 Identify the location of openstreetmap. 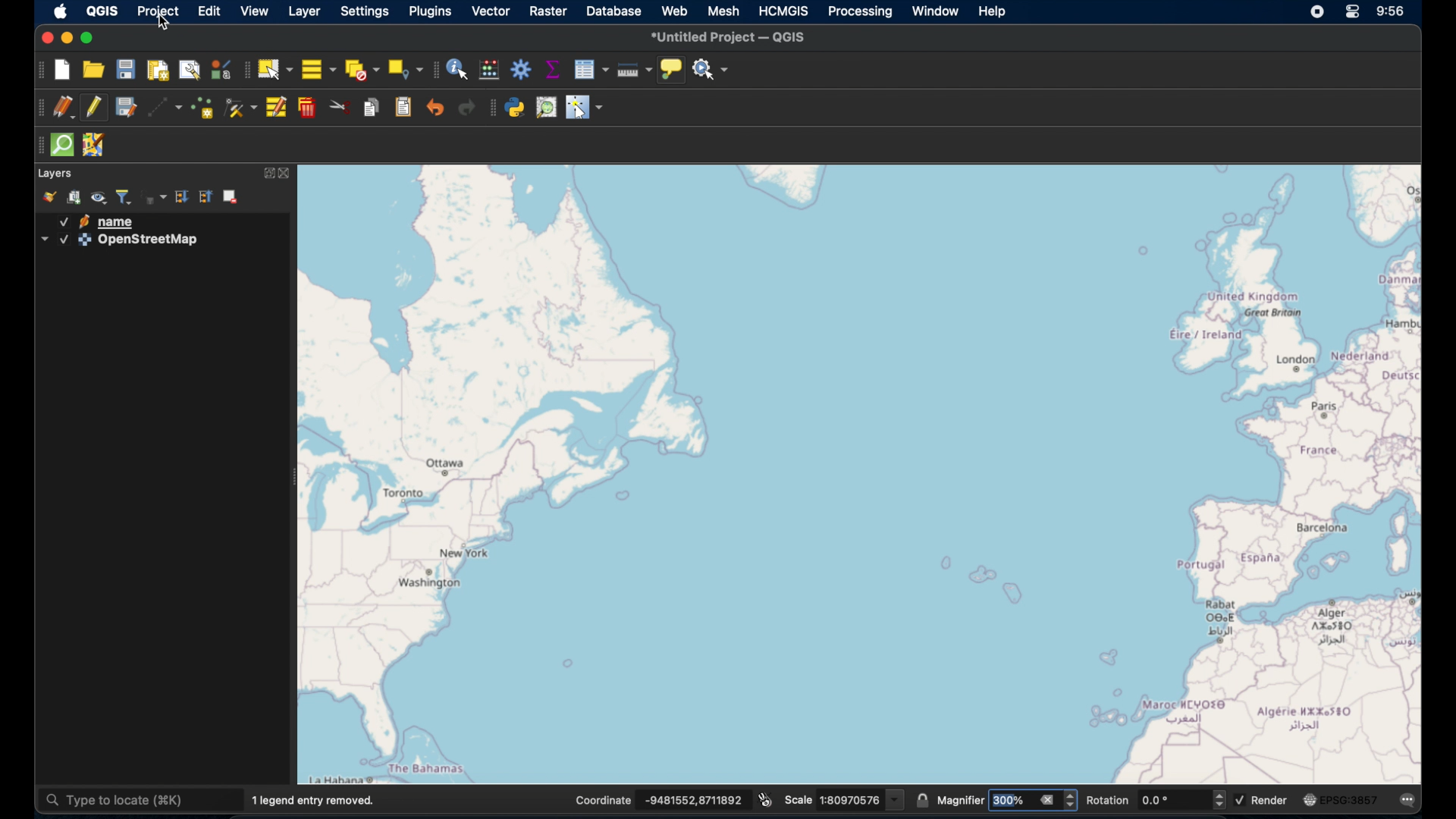
(862, 473).